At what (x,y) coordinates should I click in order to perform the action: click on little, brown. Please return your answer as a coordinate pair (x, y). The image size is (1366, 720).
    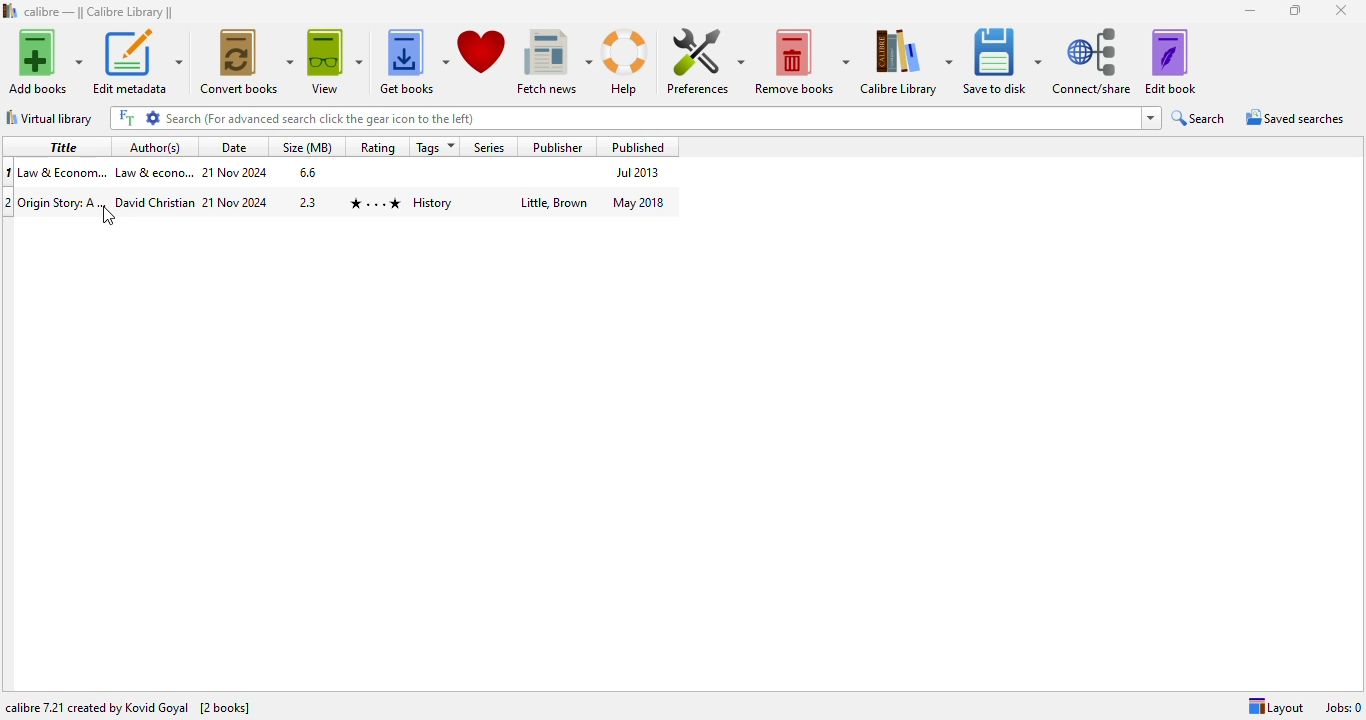
    Looking at the image, I should click on (555, 202).